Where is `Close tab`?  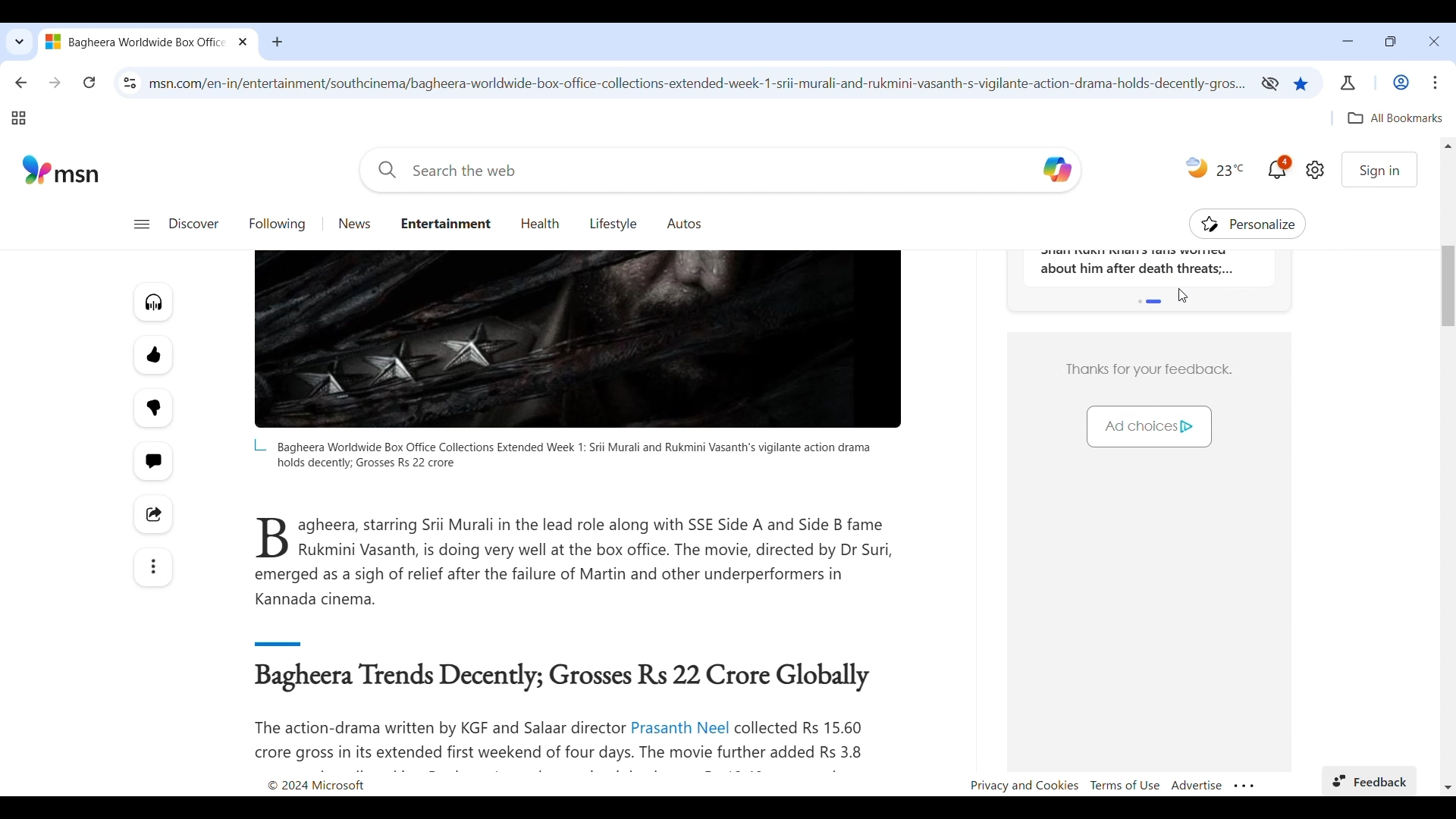
Close tab is located at coordinates (244, 41).